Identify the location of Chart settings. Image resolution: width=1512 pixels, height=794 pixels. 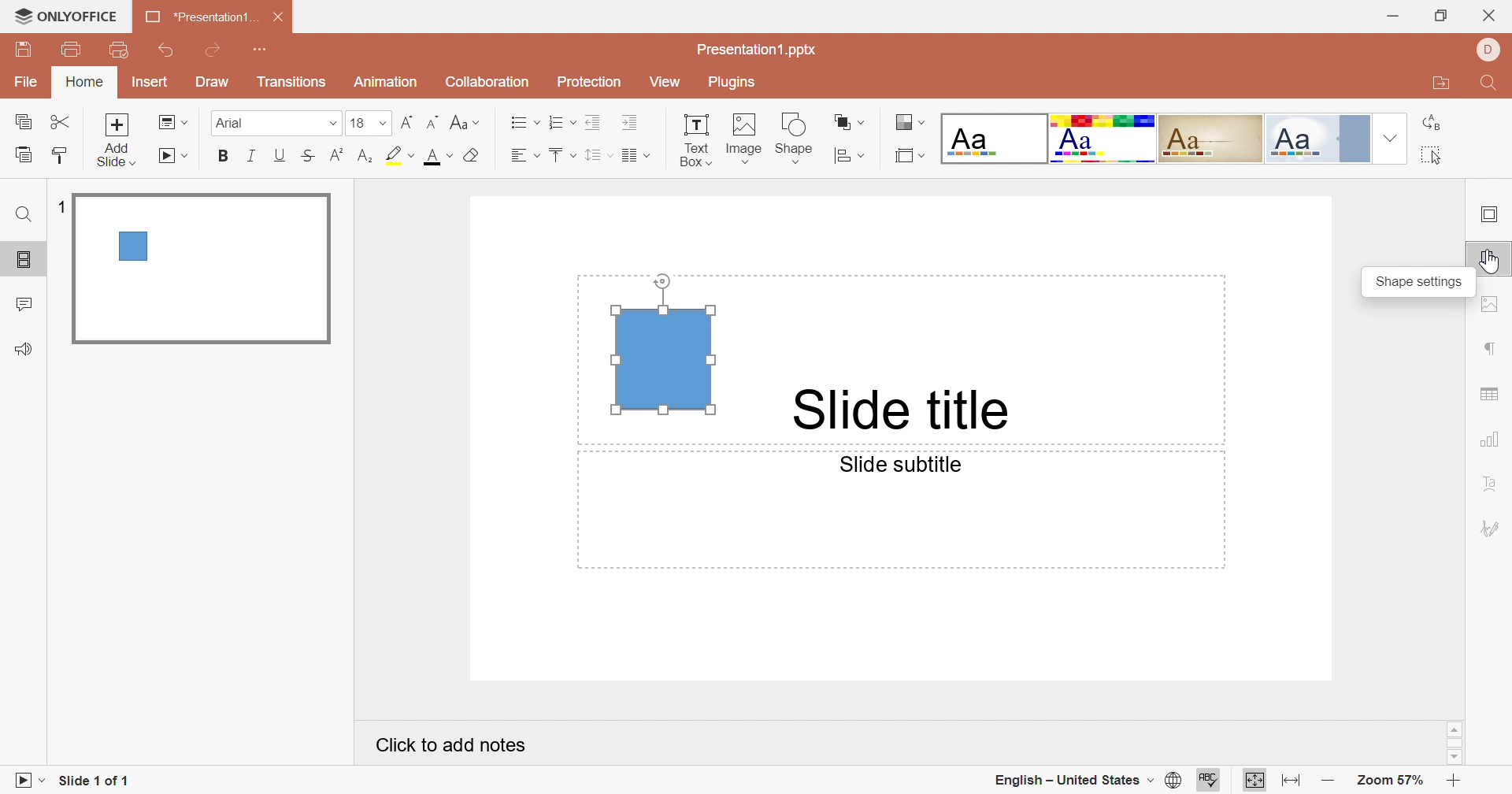
(1495, 437).